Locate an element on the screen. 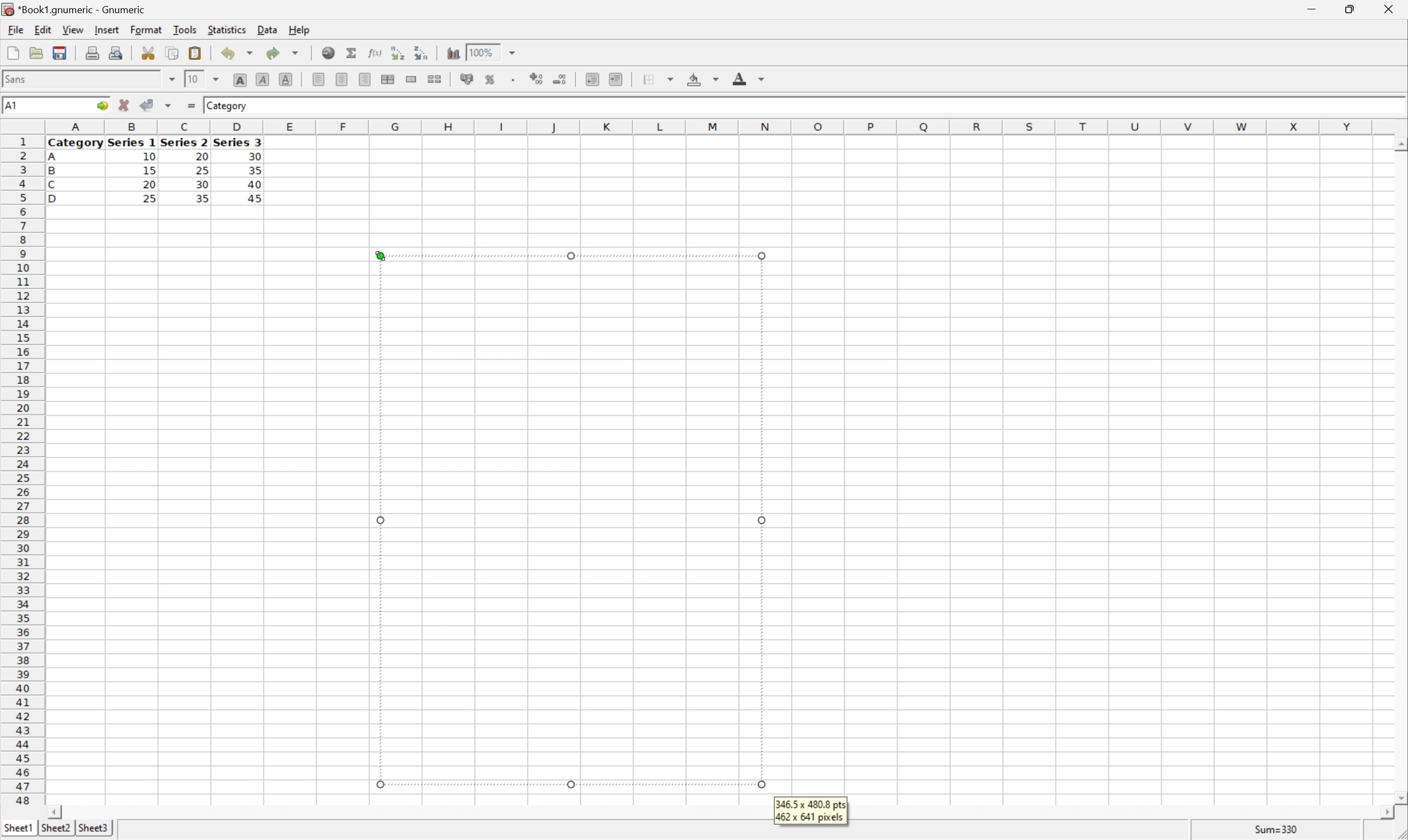 The image size is (1408, 840). Cursor is located at coordinates (380, 254).